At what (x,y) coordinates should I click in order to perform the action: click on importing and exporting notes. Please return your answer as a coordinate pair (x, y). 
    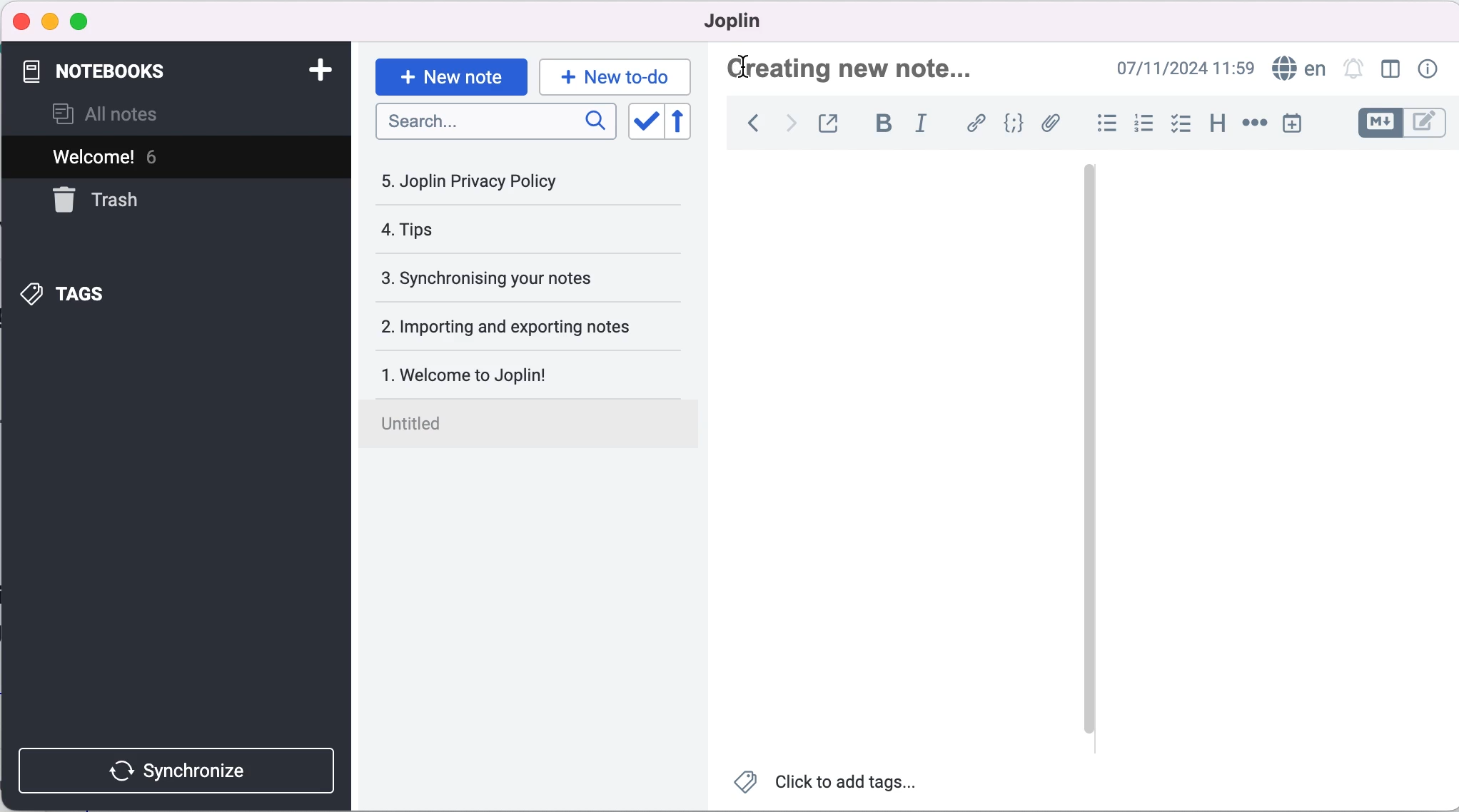
    Looking at the image, I should click on (523, 325).